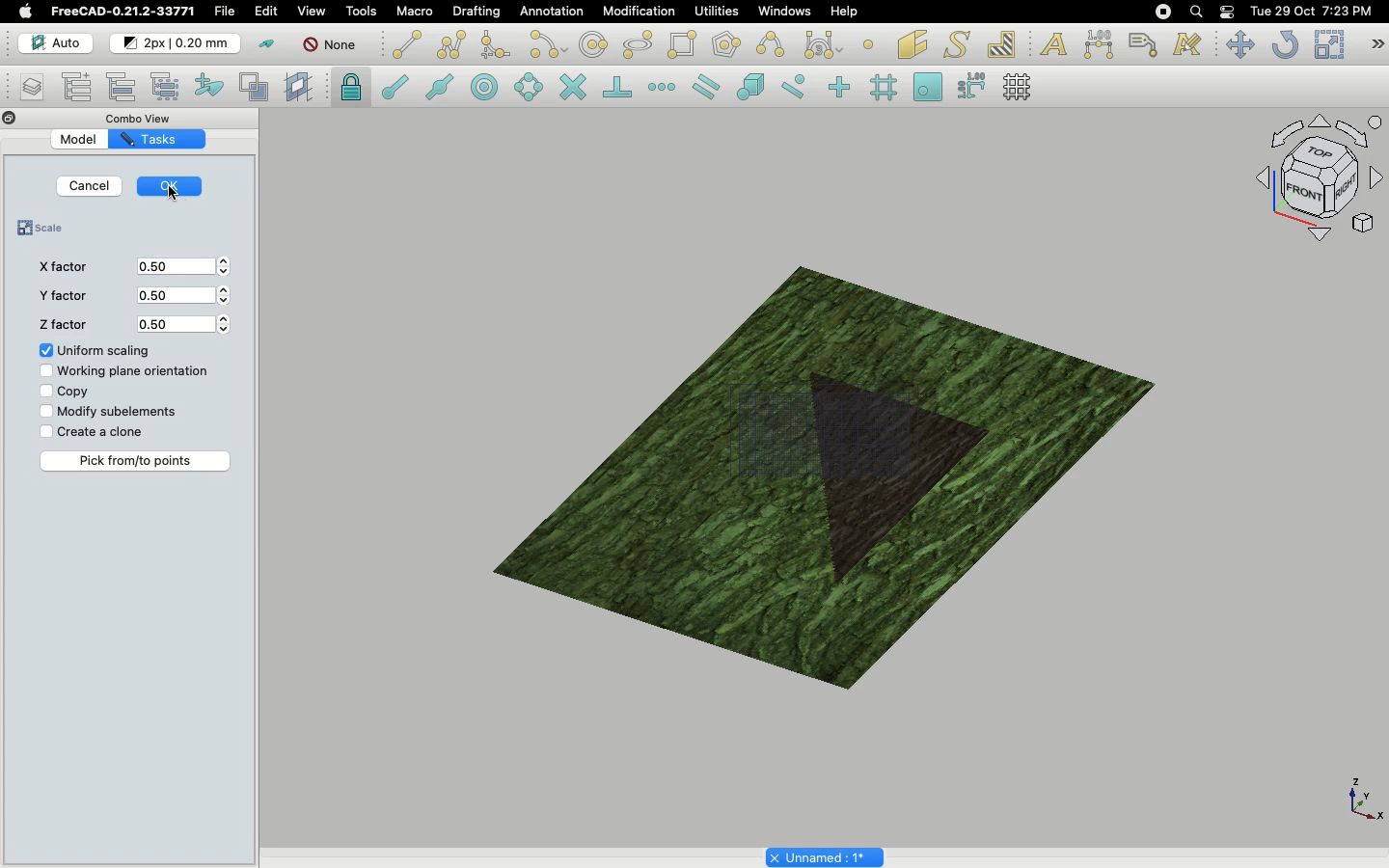  What do you see at coordinates (151, 139) in the screenshot?
I see `Tasks` at bounding box center [151, 139].